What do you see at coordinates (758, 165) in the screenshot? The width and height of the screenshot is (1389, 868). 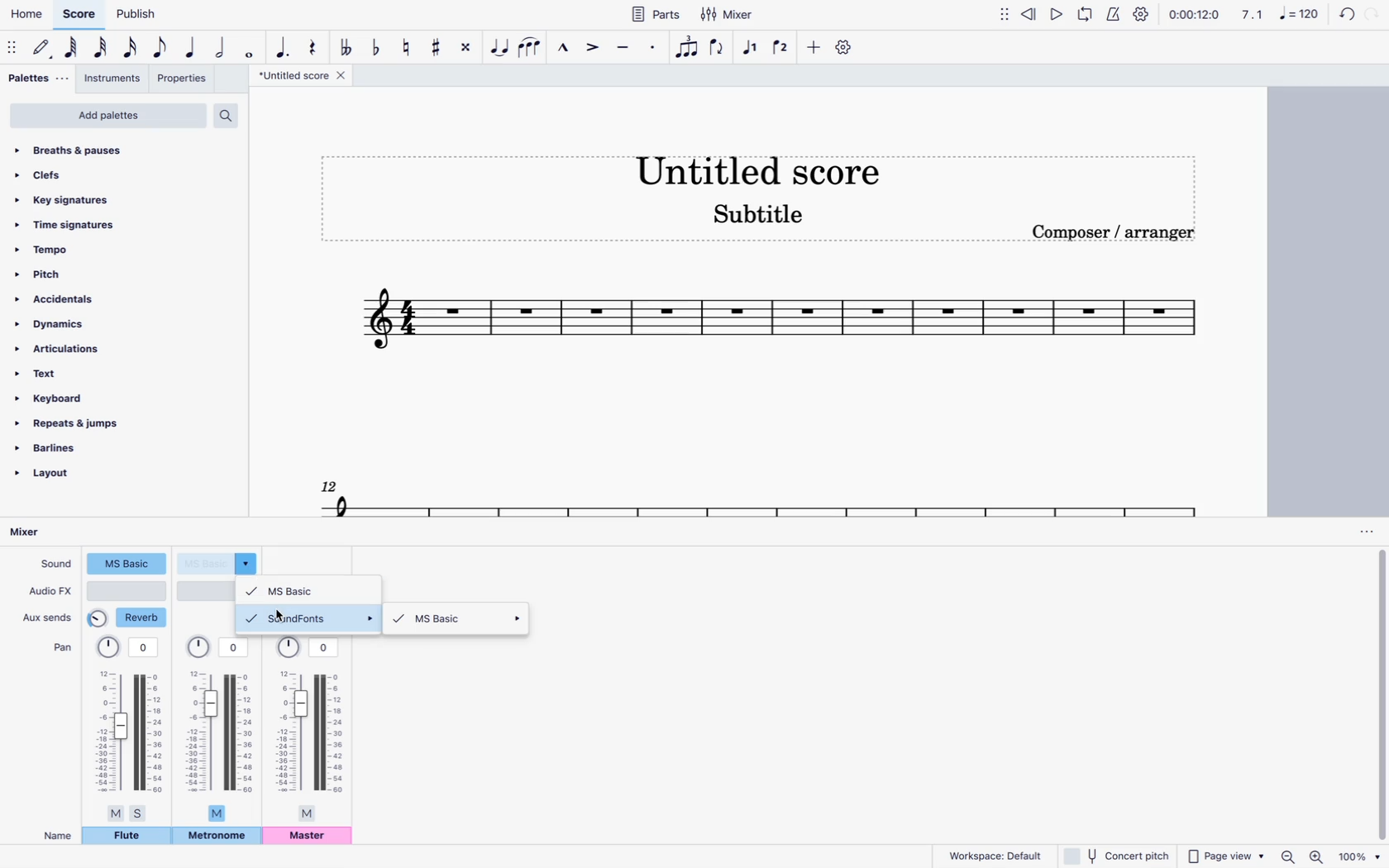 I see `score title` at bounding box center [758, 165].